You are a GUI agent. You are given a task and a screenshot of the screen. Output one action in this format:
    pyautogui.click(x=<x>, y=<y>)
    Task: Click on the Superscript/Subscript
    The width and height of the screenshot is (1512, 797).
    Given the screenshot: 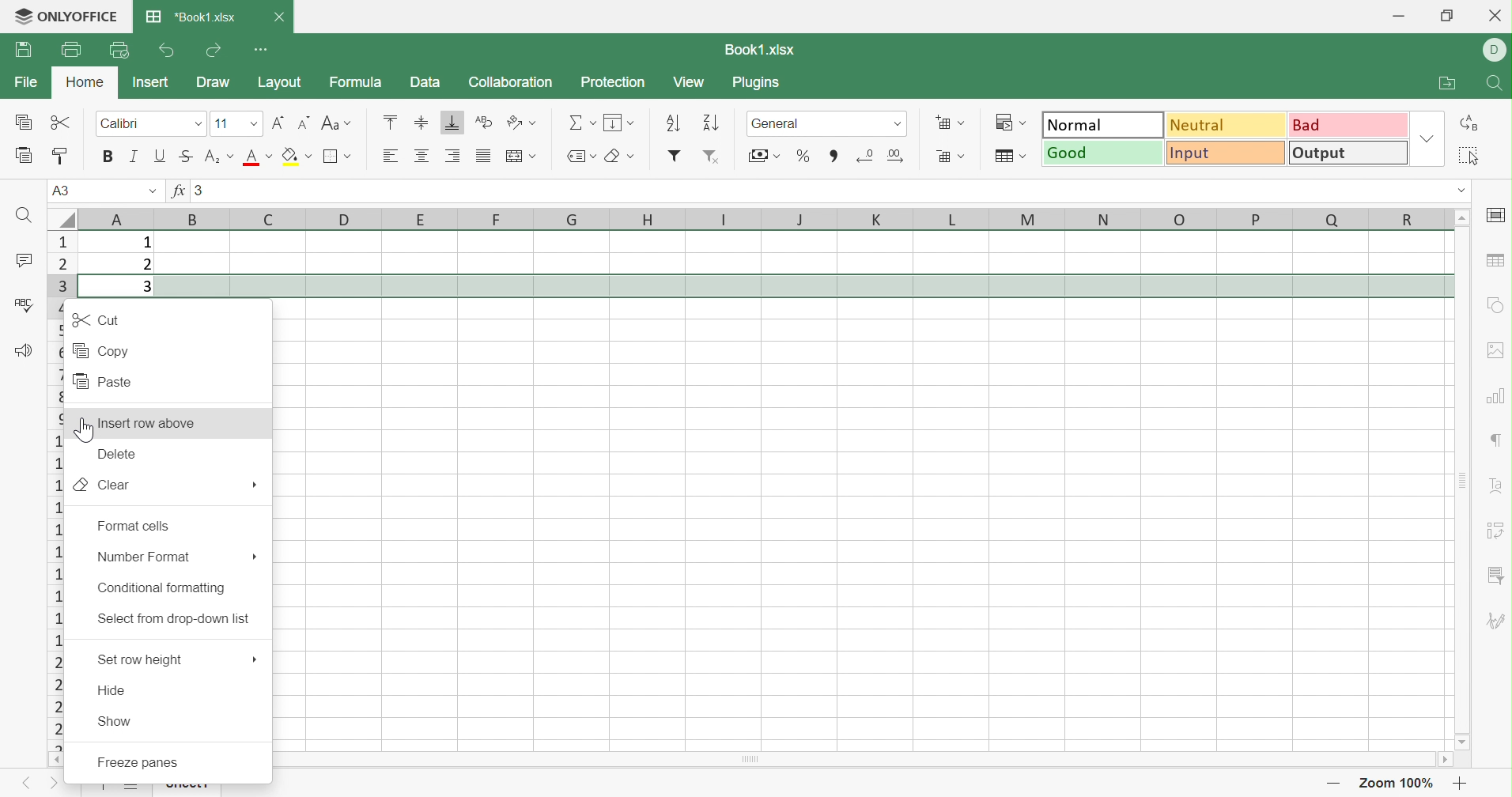 What is the action you would take?
    pyautogui.click(x=211, y=157)
    